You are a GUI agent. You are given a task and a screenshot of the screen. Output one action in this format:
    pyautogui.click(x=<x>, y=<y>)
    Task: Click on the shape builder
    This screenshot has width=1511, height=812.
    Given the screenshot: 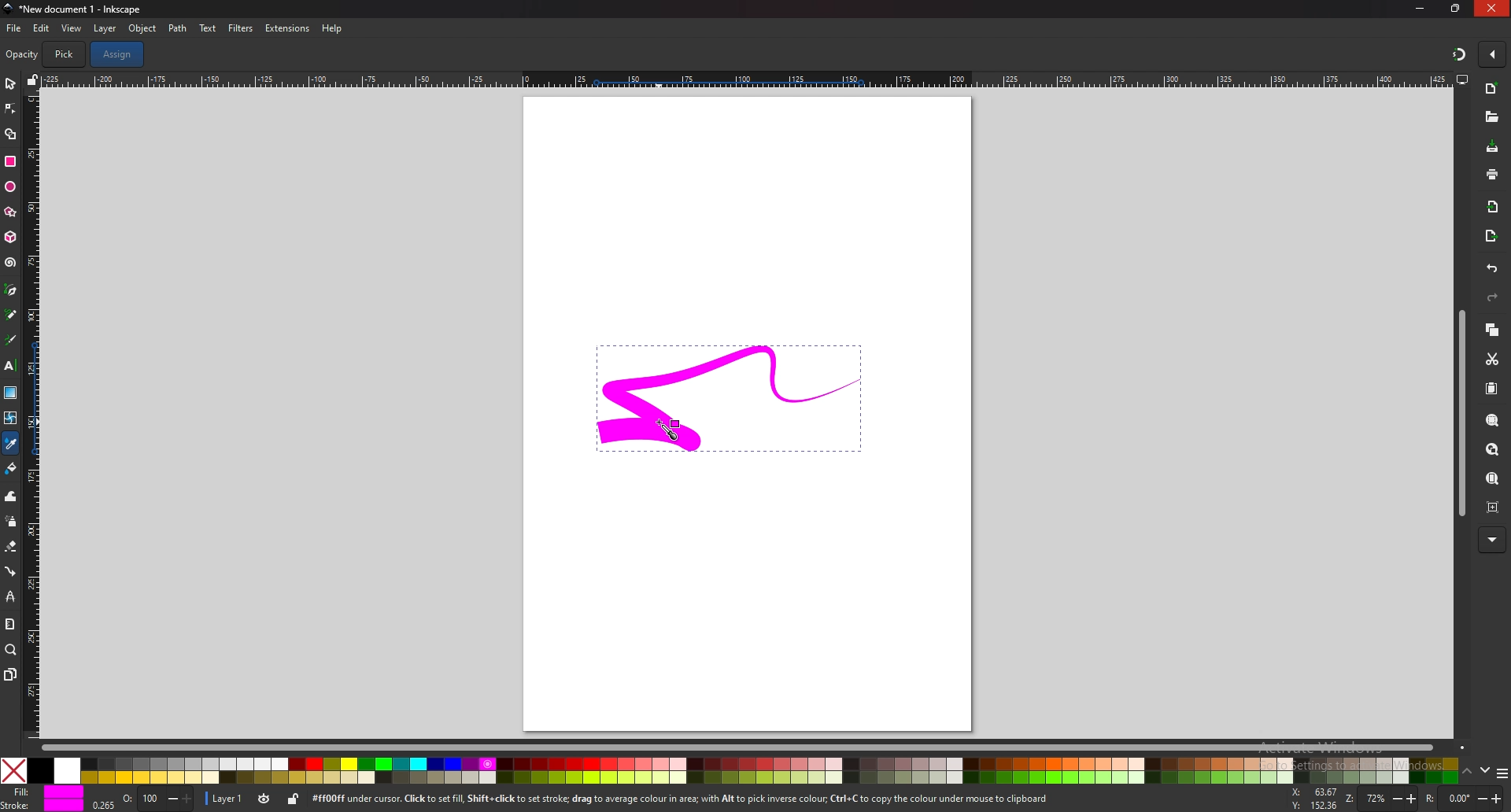 What is the action you would take?
    pyautogui.click(x=10, y=135)
    